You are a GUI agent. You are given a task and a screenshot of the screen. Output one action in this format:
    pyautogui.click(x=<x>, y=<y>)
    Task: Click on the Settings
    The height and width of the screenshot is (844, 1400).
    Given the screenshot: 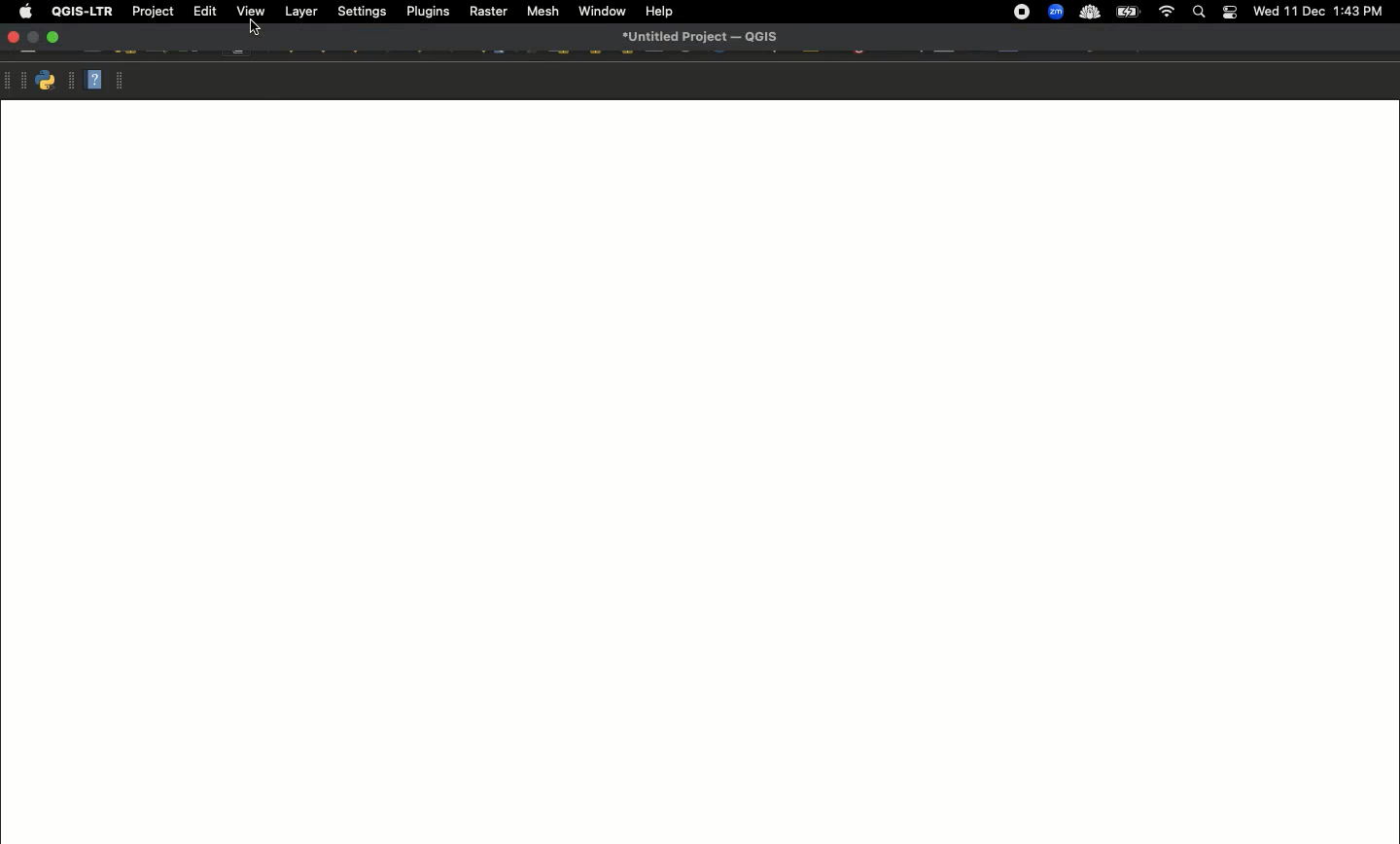 What is the action you would take?
    pyautogui.click(x=364, y=12)
    